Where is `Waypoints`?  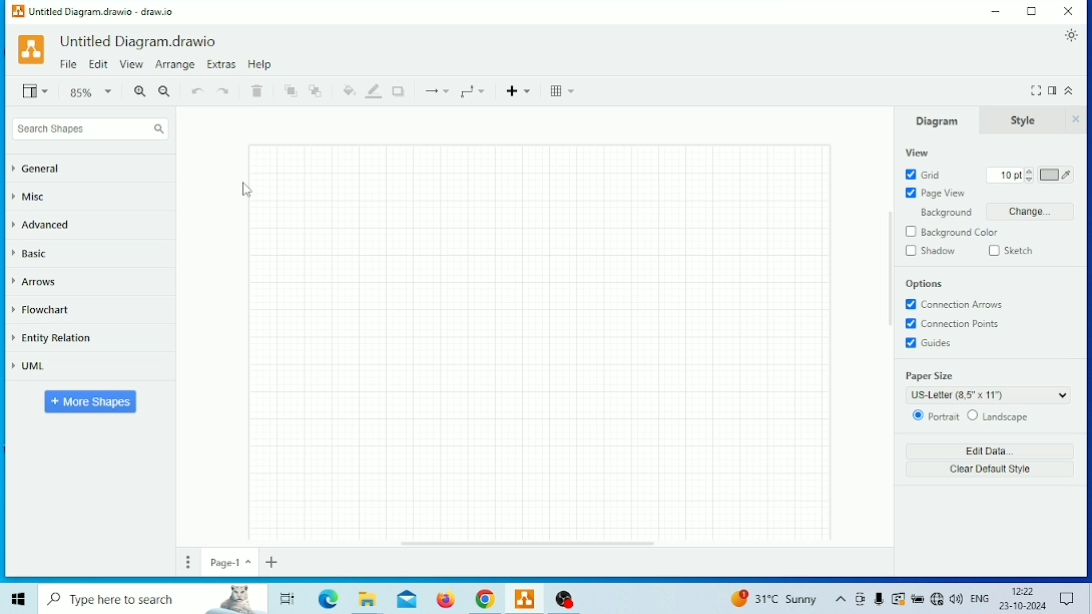
Waypoints is located at coordinates (474, 92).